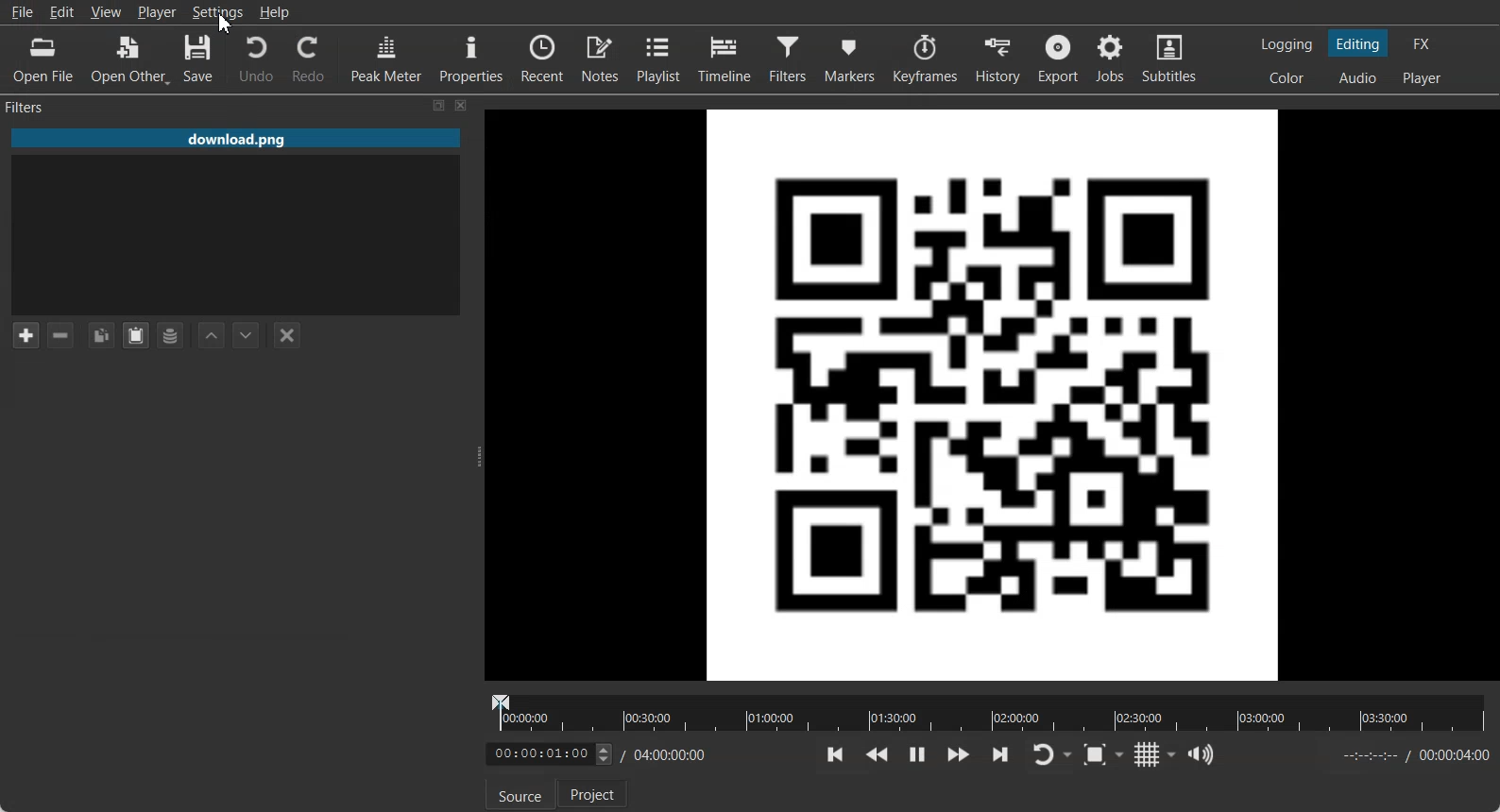  I want to click on Peak Meter, so click(387, 57).